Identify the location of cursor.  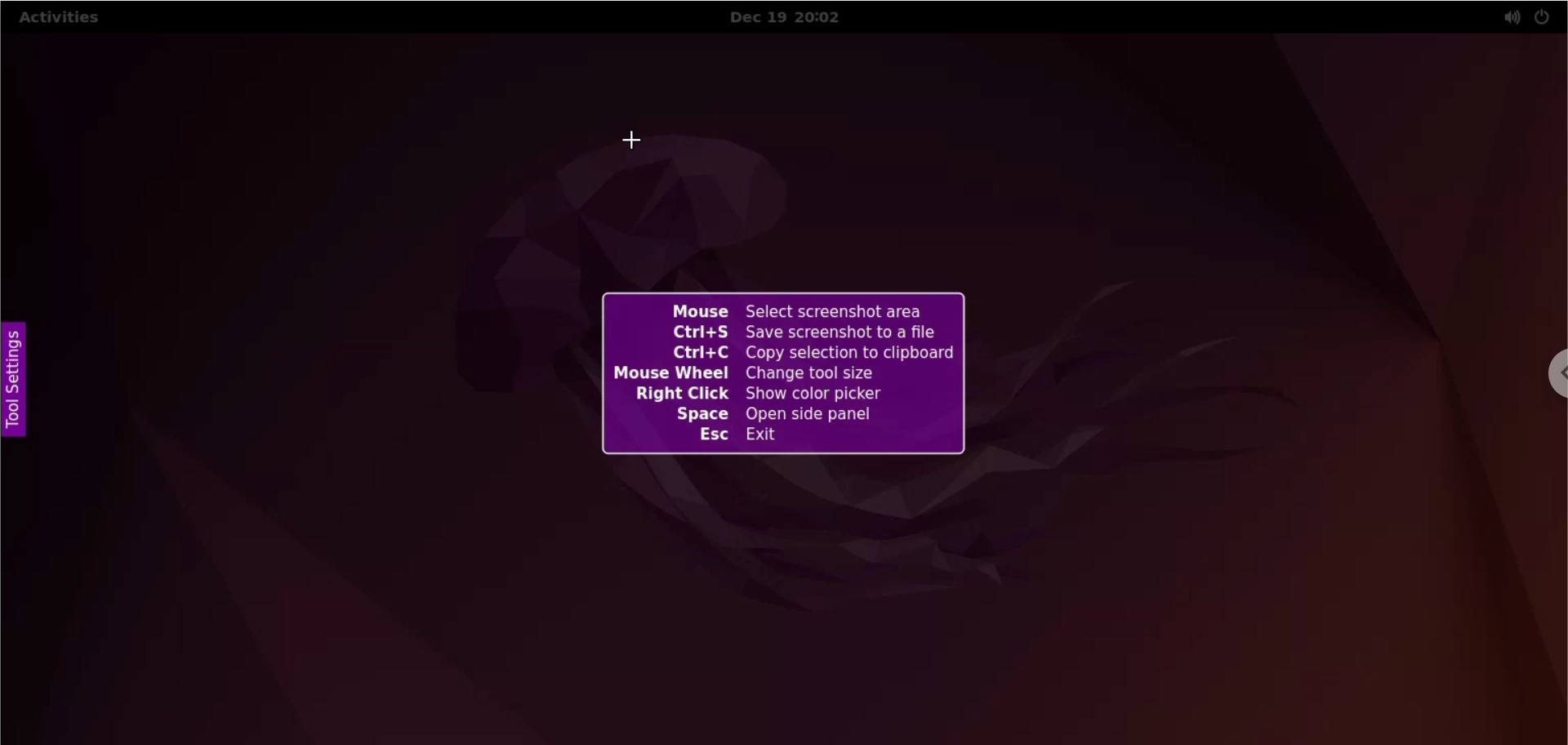
(630, 140).